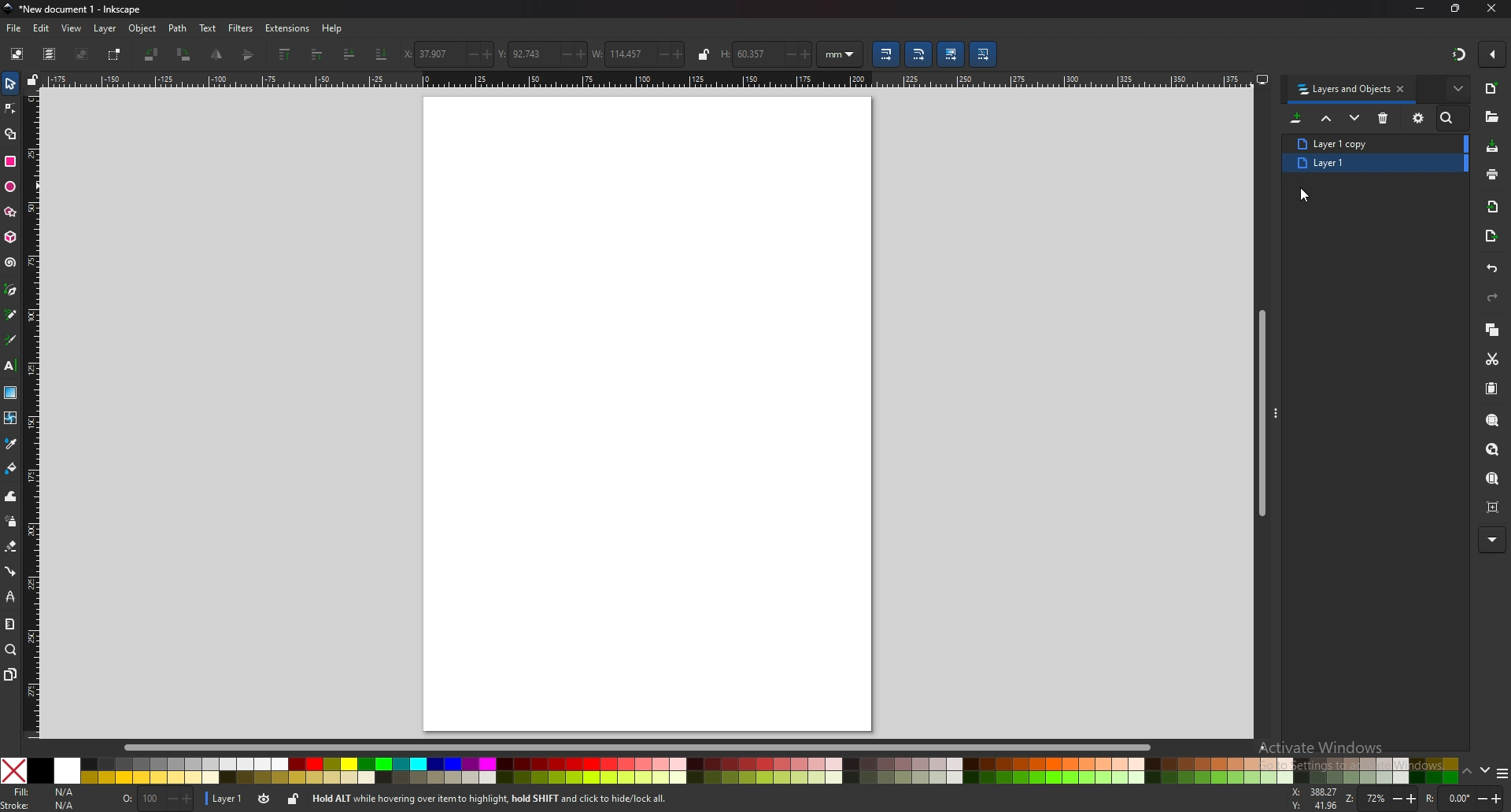 This screenshot has width=1511, height=812. What do you see at coordinates (10, 496) in the screenshot?
I see `tweak` at bounding box center [10, 496].